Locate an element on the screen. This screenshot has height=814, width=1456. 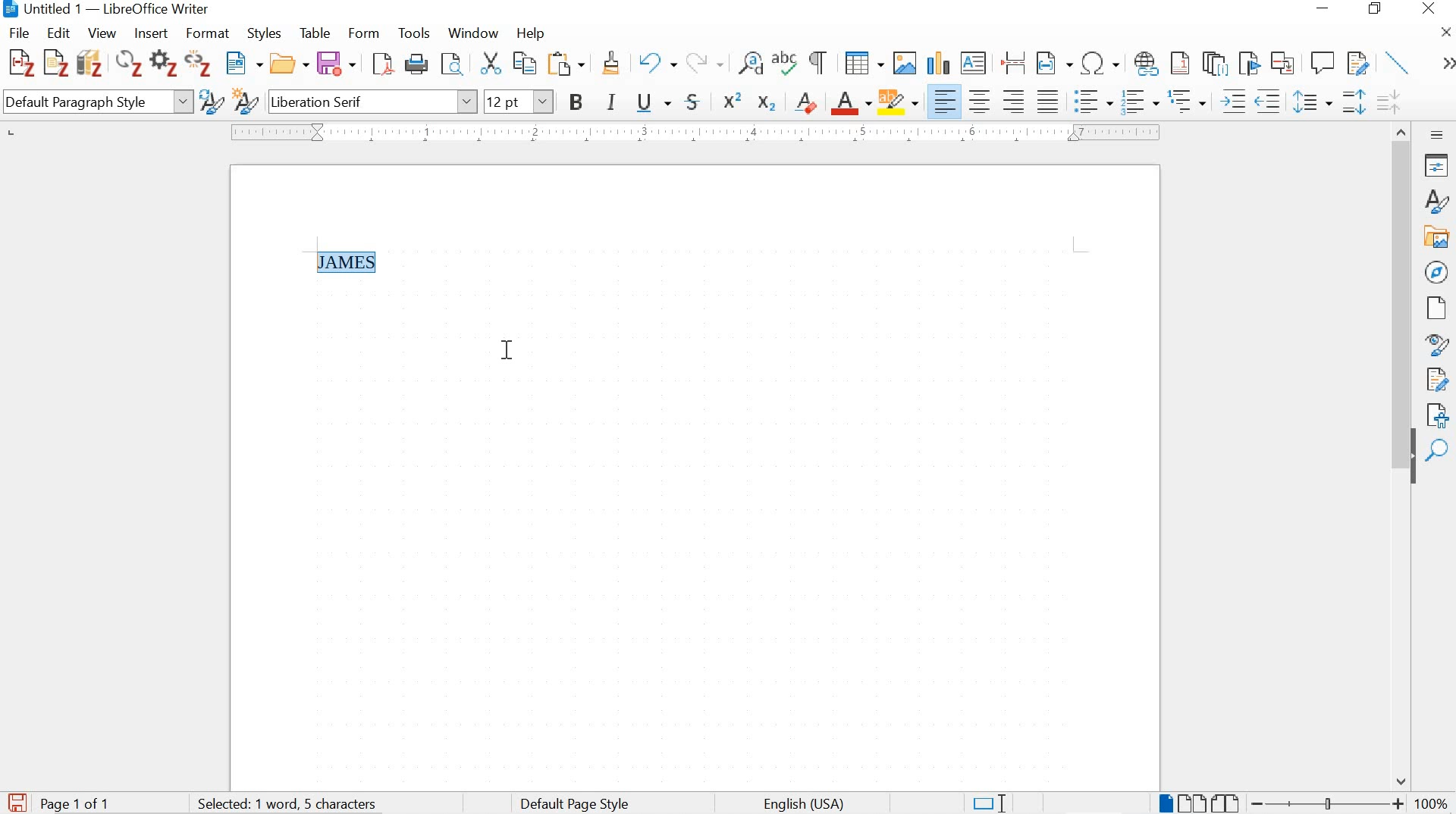
decrease indent is located at coordinates (1270, 101).